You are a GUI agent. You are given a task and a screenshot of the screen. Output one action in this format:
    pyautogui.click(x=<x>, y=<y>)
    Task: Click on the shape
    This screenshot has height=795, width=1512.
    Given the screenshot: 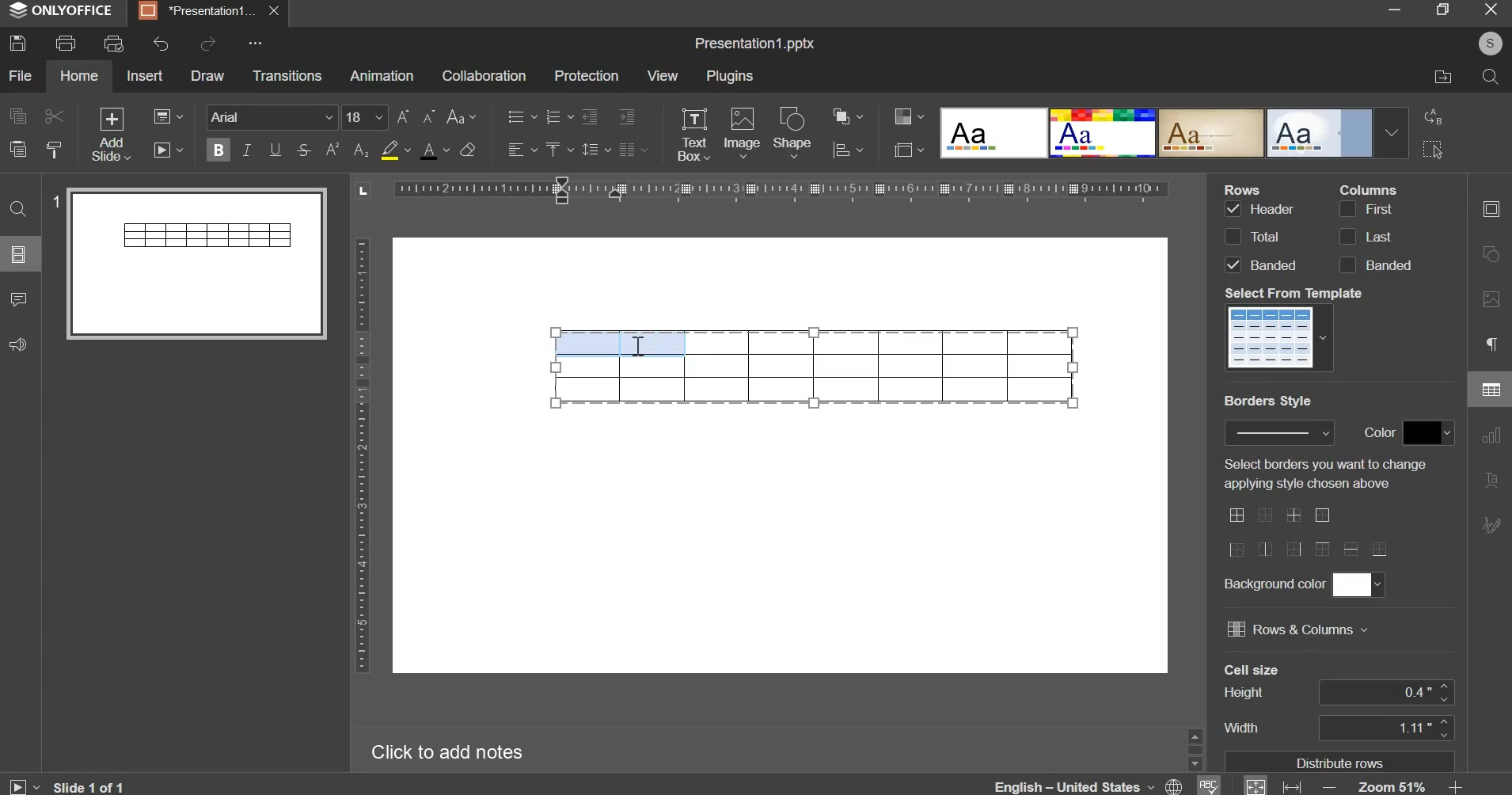 What is the action you would take?
    pyautogui.click(x=794, y=132)
    